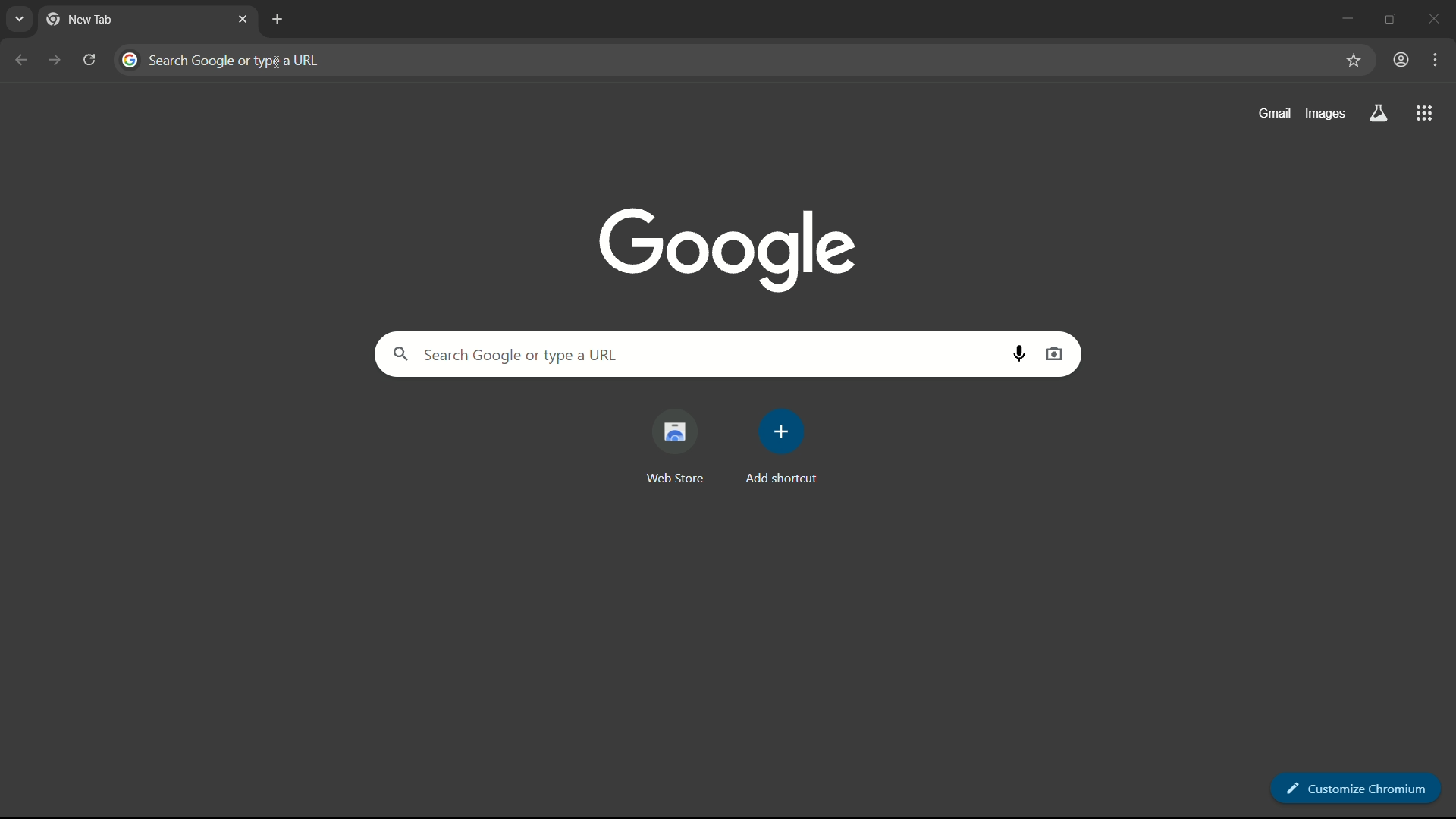  I want to click on search google or type a url, so click(681, 354).